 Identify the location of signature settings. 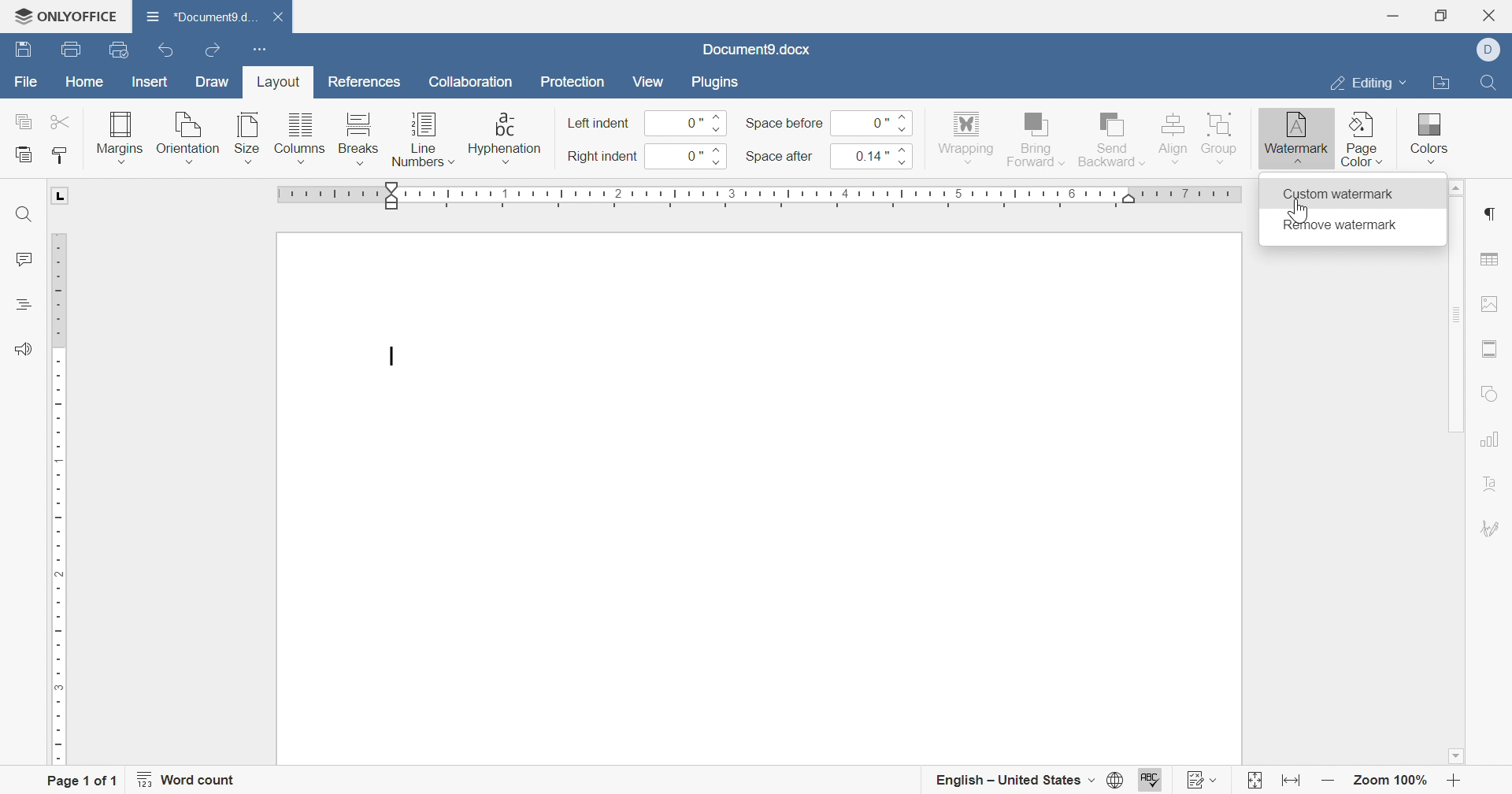
(1492, 529).